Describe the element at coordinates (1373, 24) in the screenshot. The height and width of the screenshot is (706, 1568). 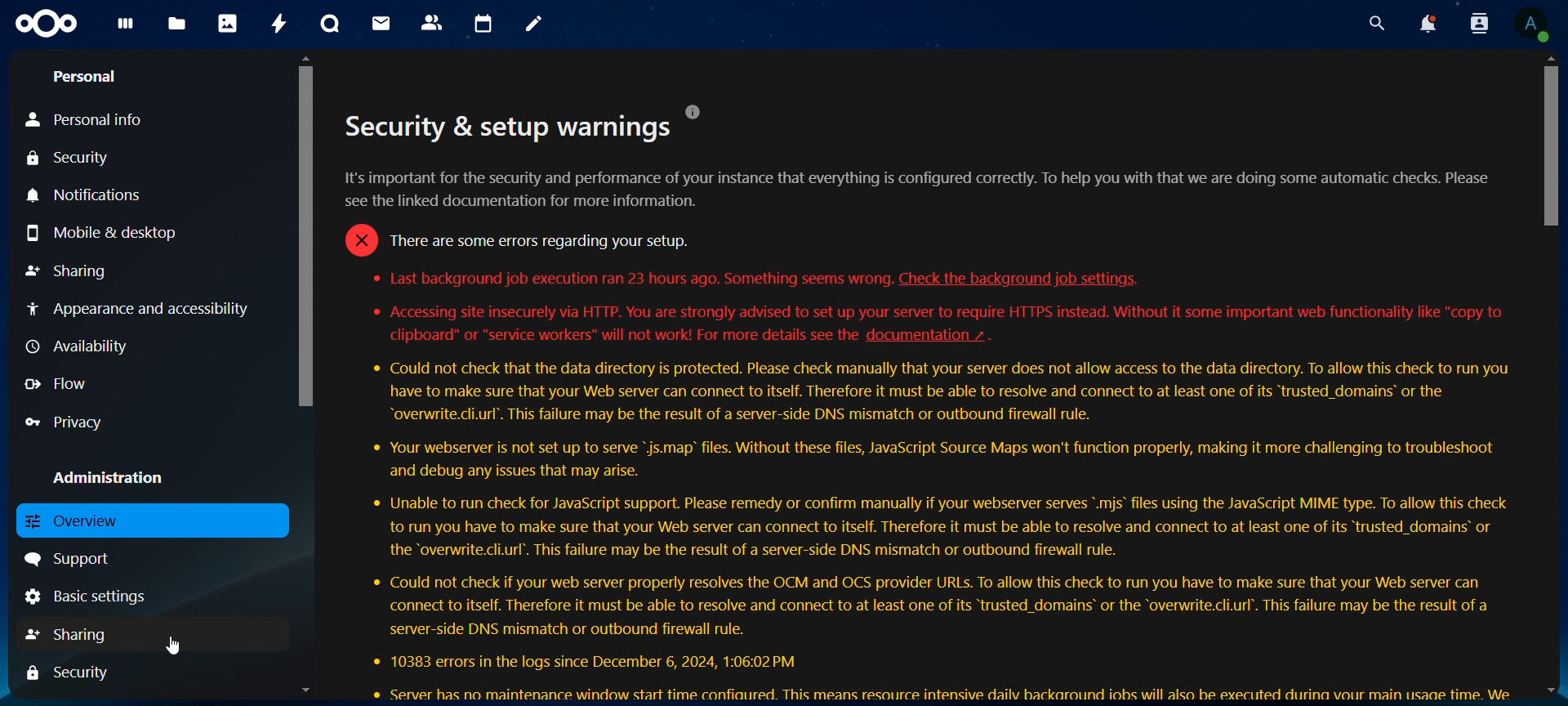
I see `search` at that location.